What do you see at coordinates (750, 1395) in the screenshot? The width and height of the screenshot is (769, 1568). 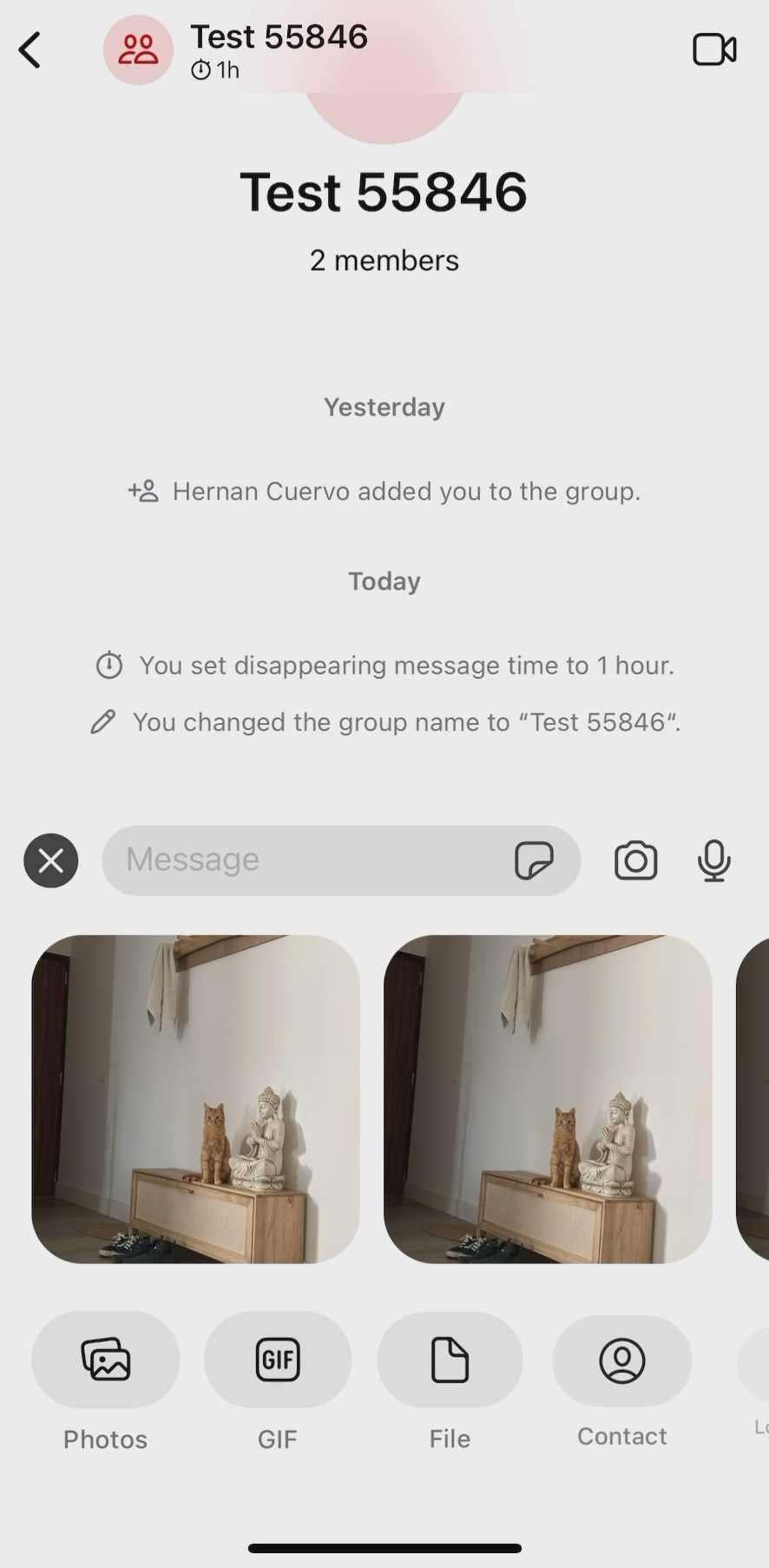 I see `button` at bounding box center [750, 1395].